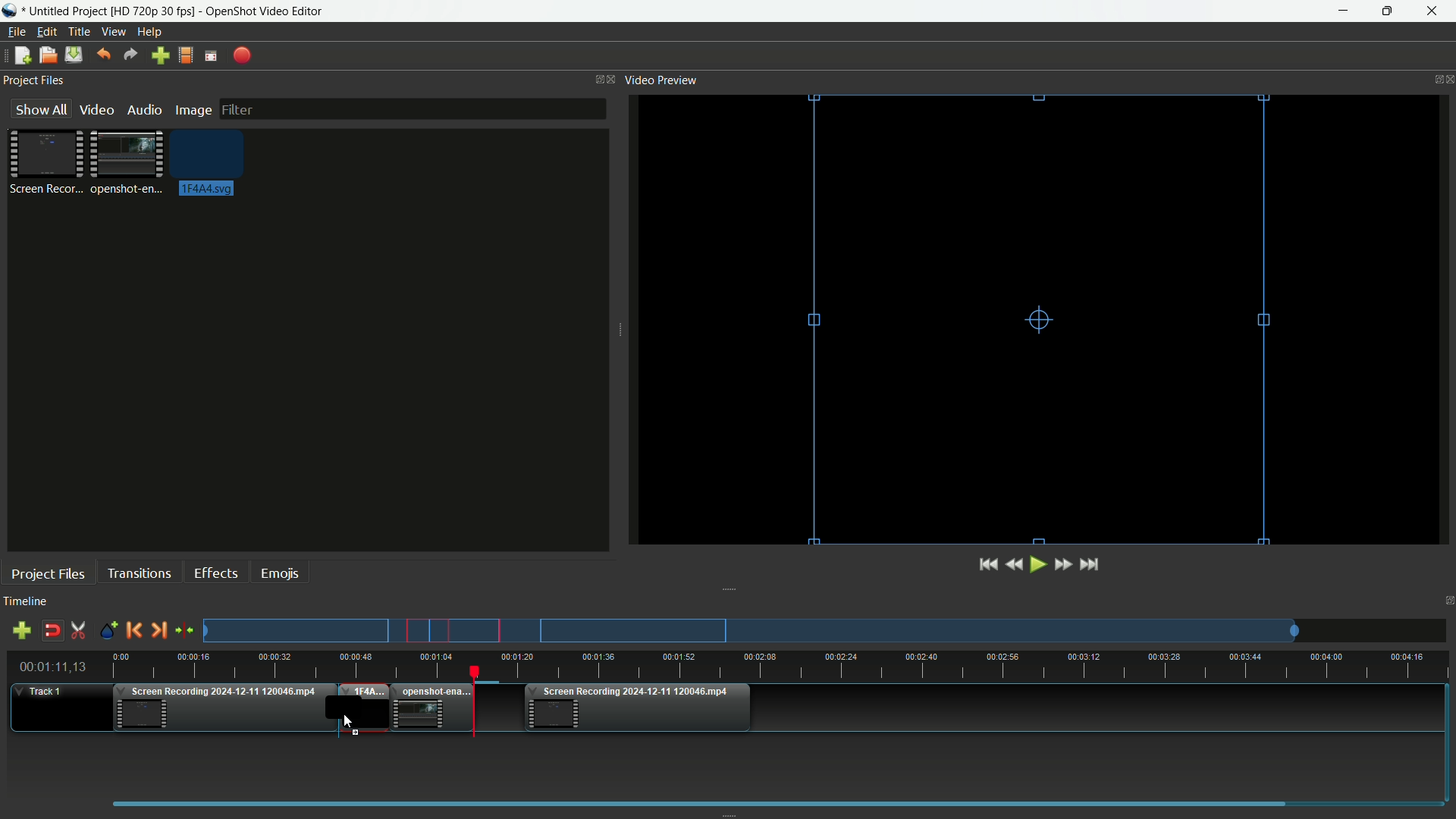 Image resolution: width=1456 pixels, height=819 pixels. Describe the element at coordinates (74, 56) in the screenshot. I see `Save file` at that location.